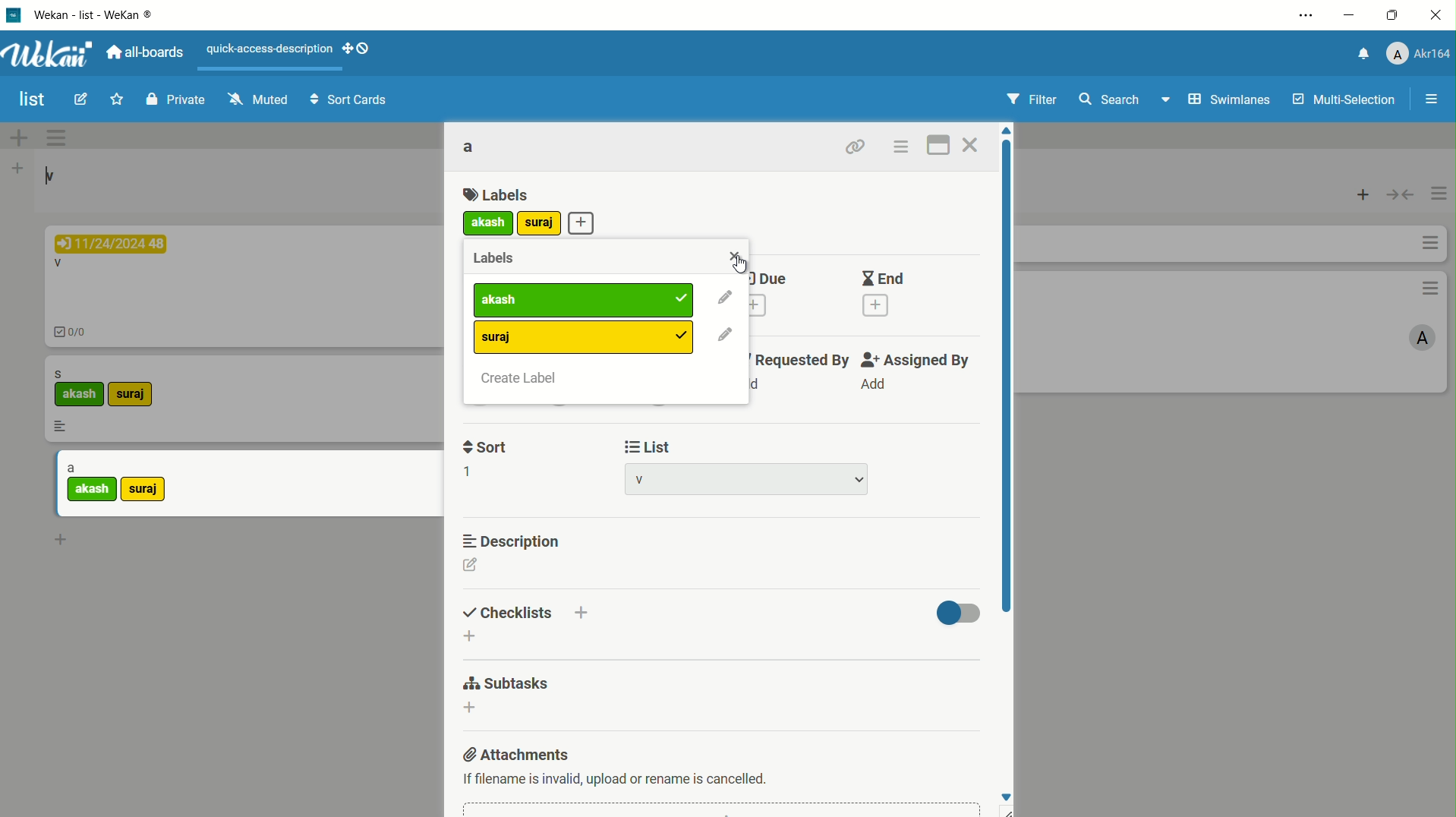 This screenshot has height=817, width=1456. Describe the element at coordinates (496, 195) in the screenshot. I see `labels` at that location.